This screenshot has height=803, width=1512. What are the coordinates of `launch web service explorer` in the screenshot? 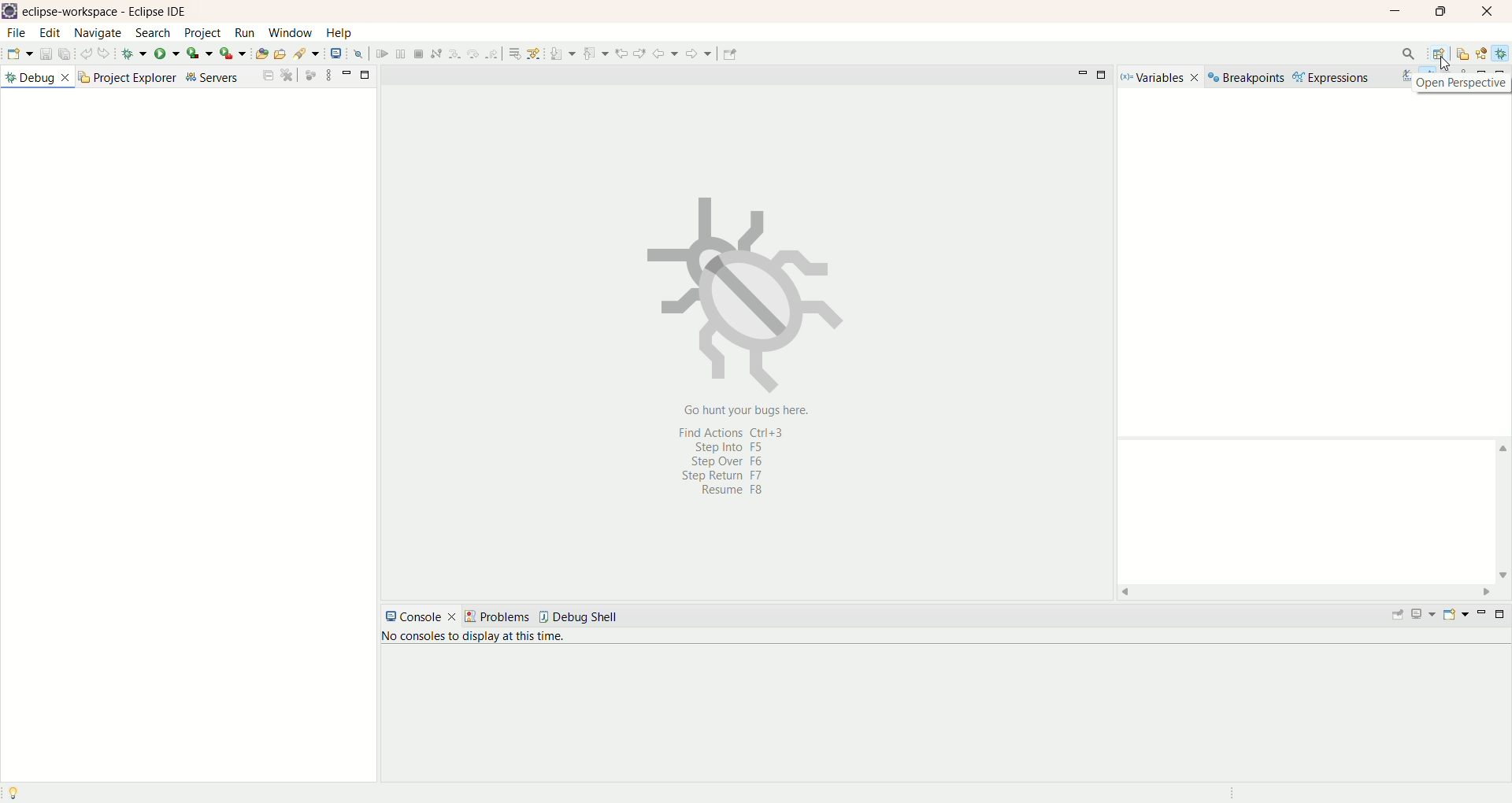 It's located at (429, 54).